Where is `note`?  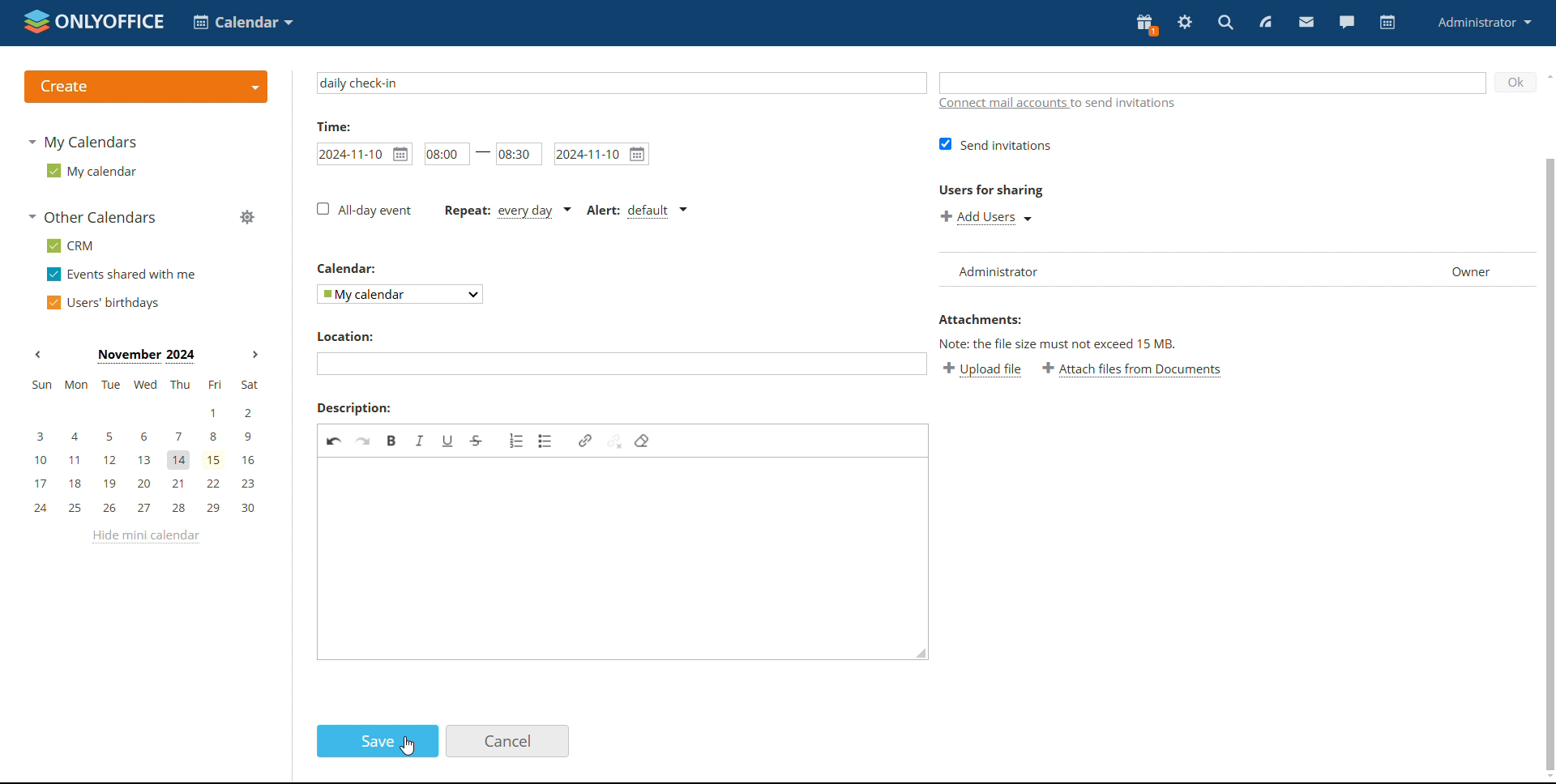 note is located at coordinates (1084, 343).